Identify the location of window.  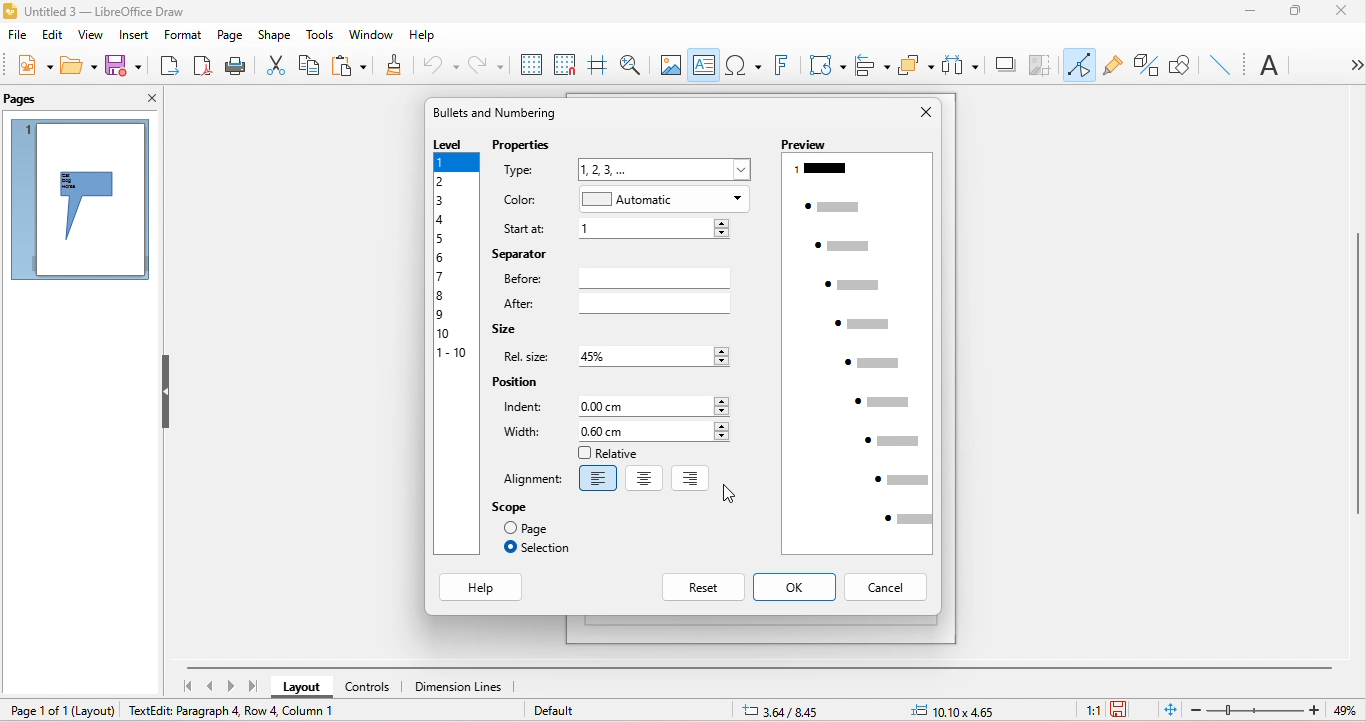
(375, 34).